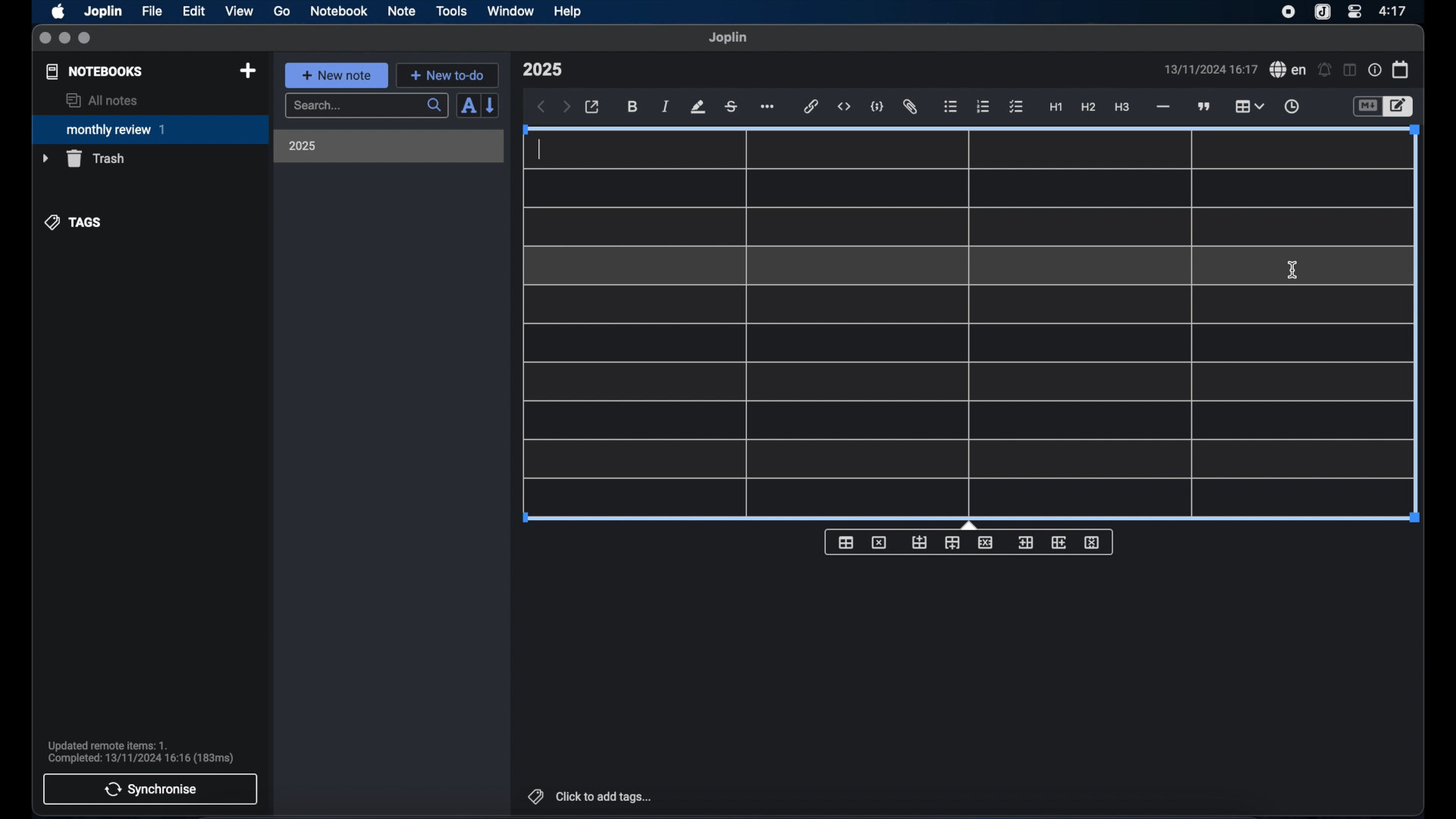 The height and width of the screenshot is (819, 1456). Describe the element at coordinates (983, 106) in the screenshot. I see `numbered list` at that location.